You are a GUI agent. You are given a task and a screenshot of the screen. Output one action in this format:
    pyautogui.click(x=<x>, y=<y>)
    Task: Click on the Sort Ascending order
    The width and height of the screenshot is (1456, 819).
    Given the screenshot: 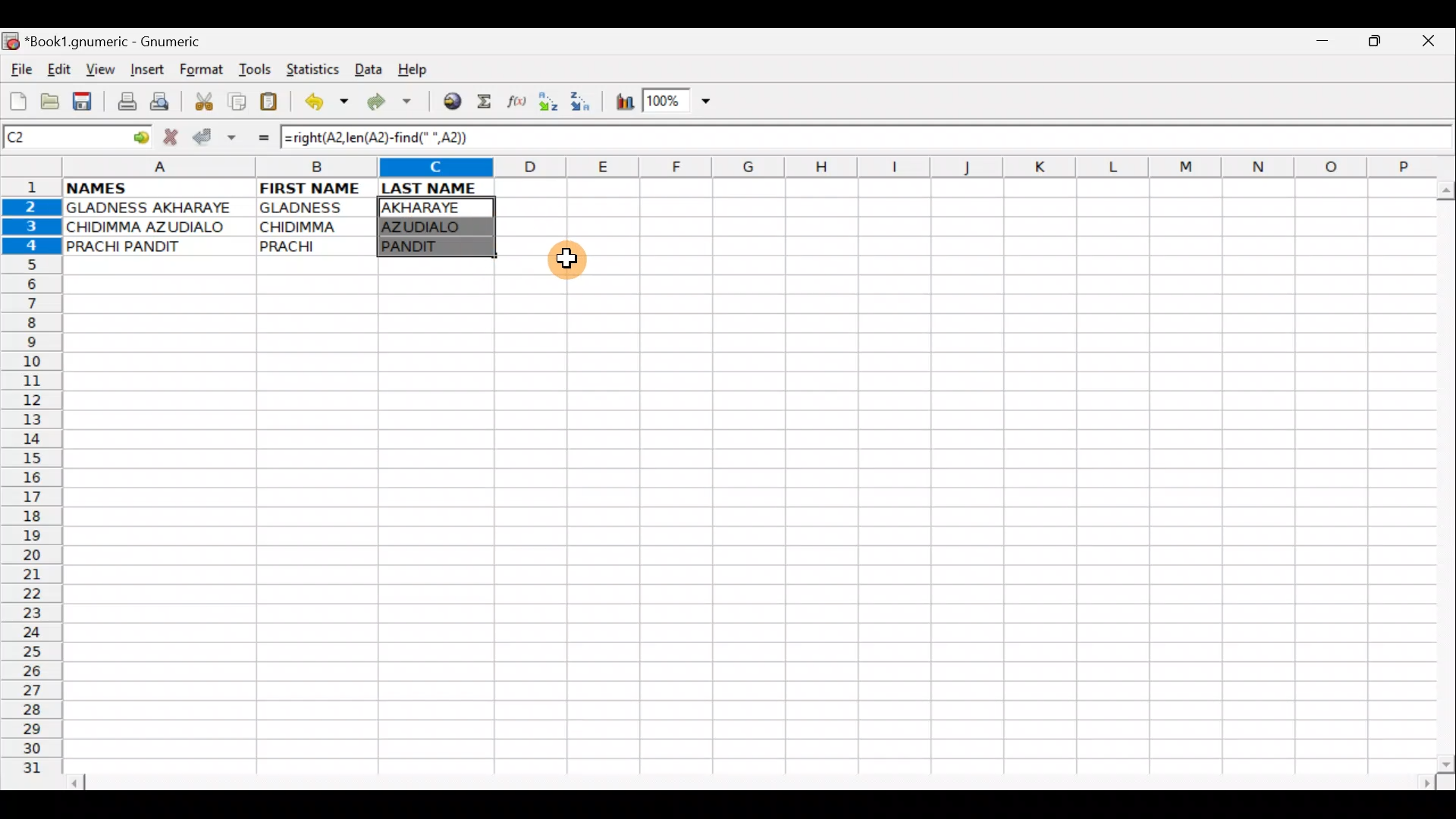 What is the action you would take?
    pyautogui.click(x=553, y=105)
    